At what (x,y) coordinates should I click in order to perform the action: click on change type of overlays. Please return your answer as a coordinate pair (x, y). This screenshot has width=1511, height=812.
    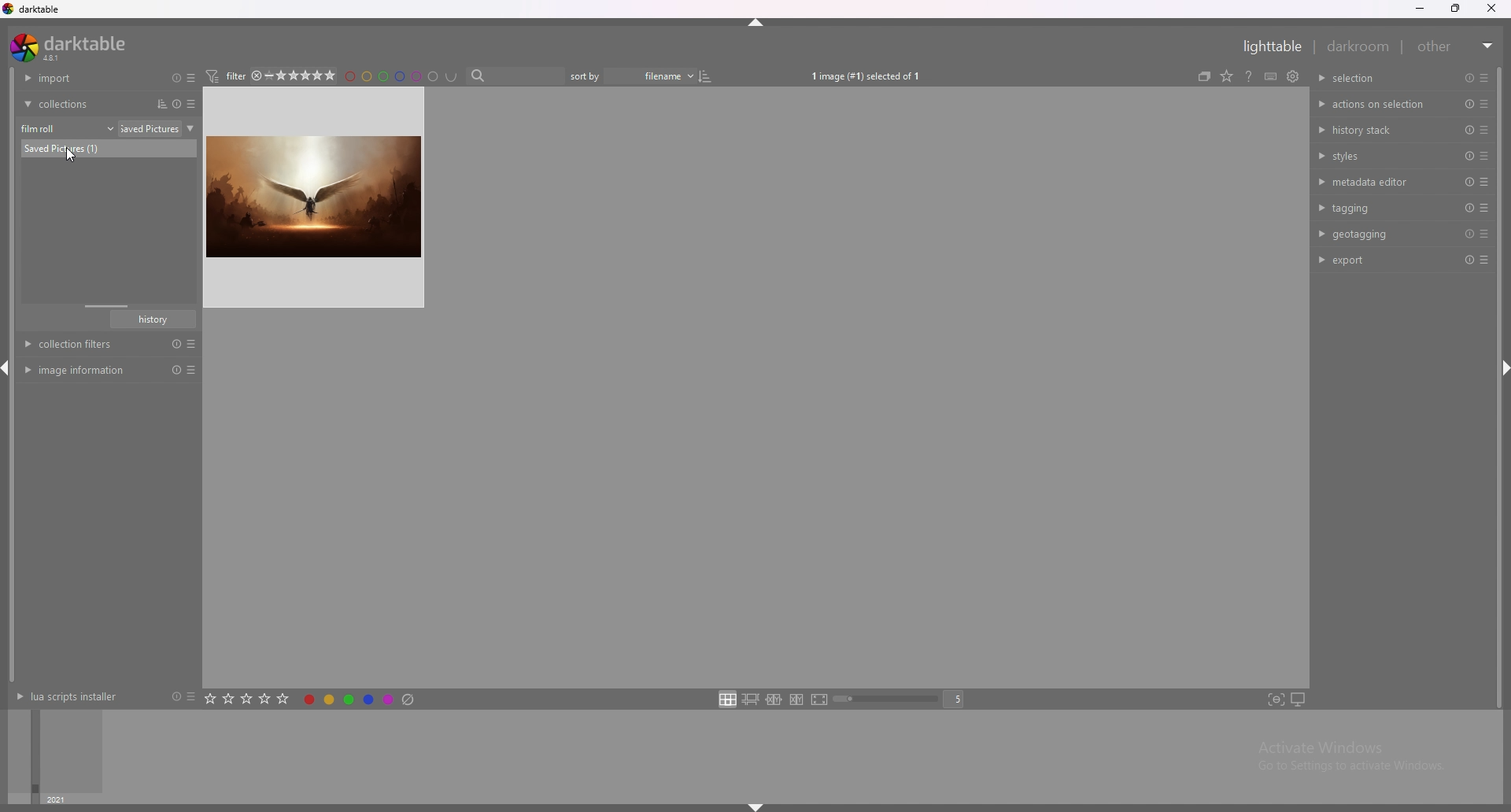
    Looking at the image, I should click on (1246, 75).